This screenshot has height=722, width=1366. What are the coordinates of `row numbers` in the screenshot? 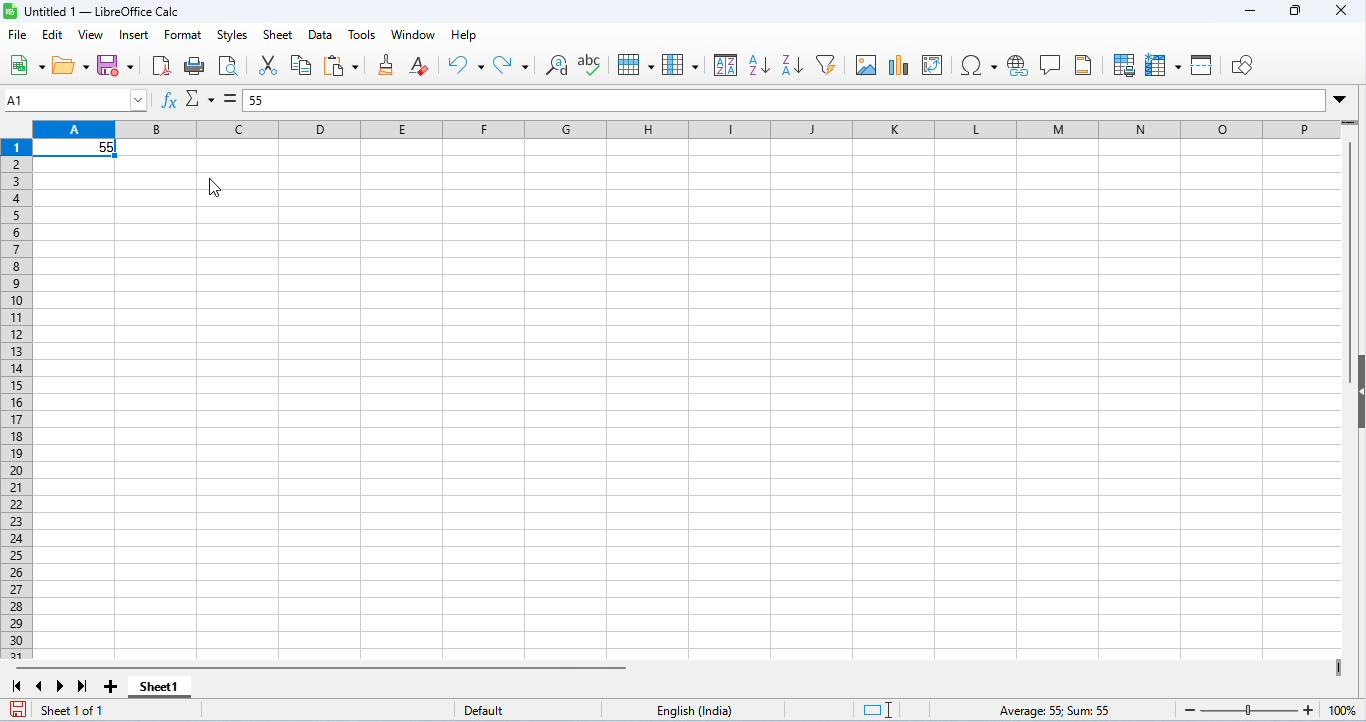 It's located at (19, 402).